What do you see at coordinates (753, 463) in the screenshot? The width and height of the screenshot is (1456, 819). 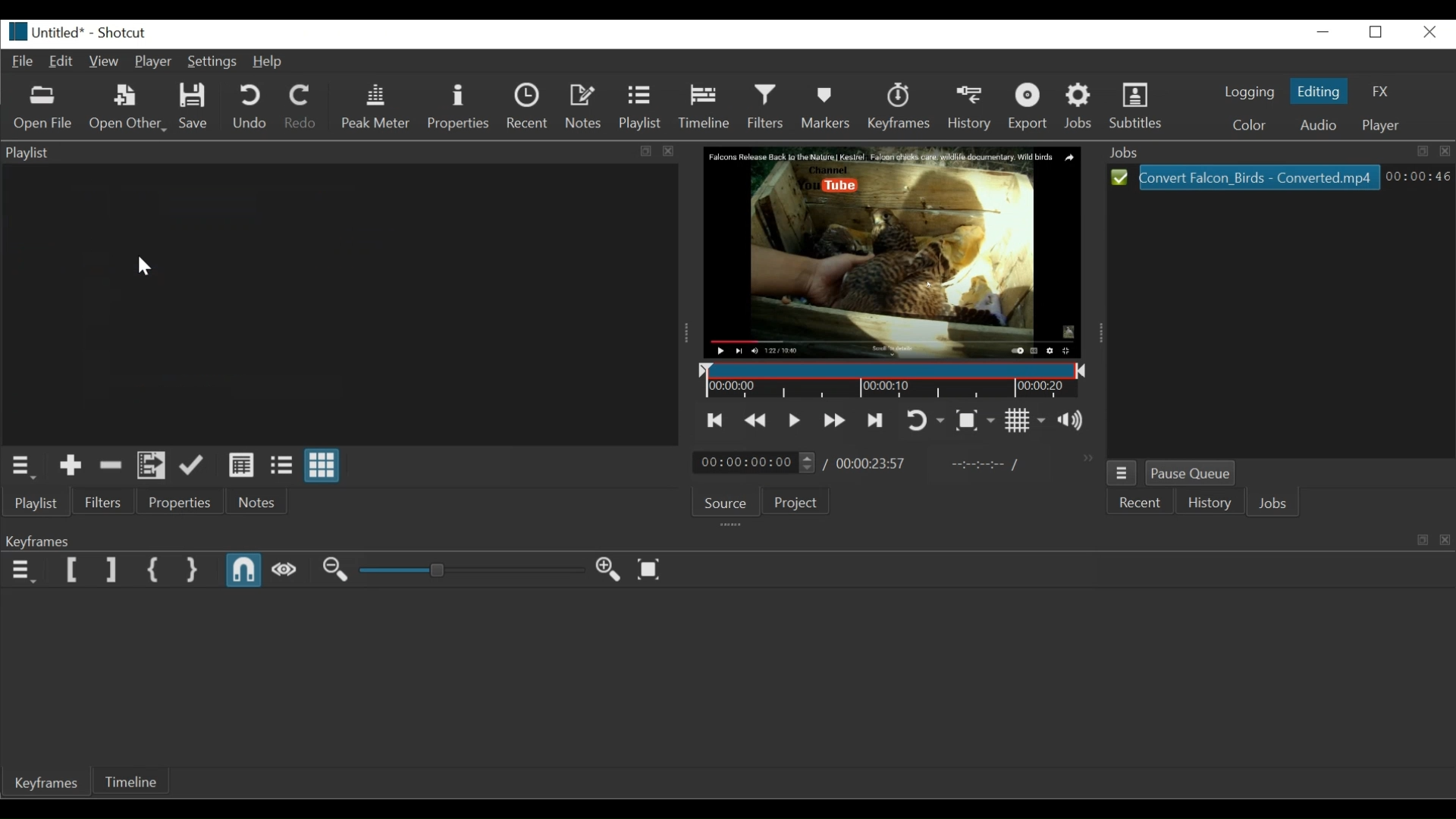 I see `00:00:00:00(Current position)` at bounding box center [753, 463].